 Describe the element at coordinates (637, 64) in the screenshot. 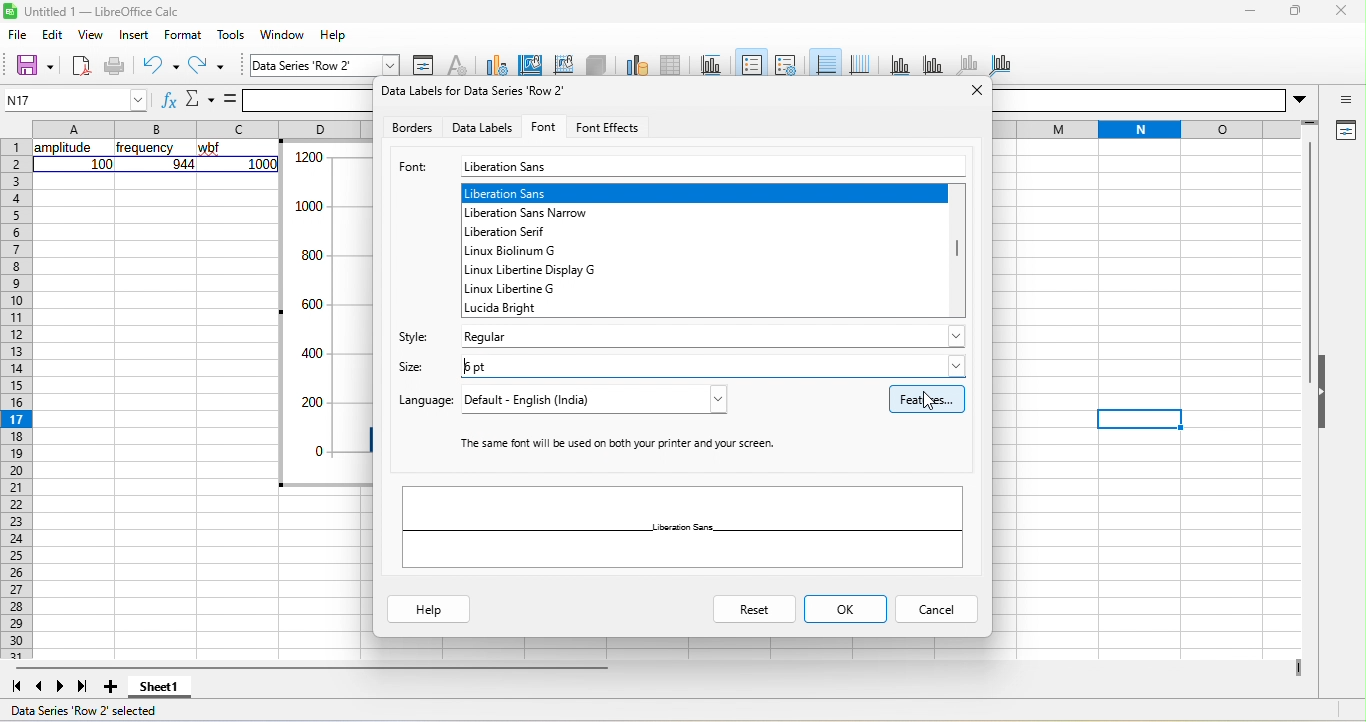

I see `data range` at that location.